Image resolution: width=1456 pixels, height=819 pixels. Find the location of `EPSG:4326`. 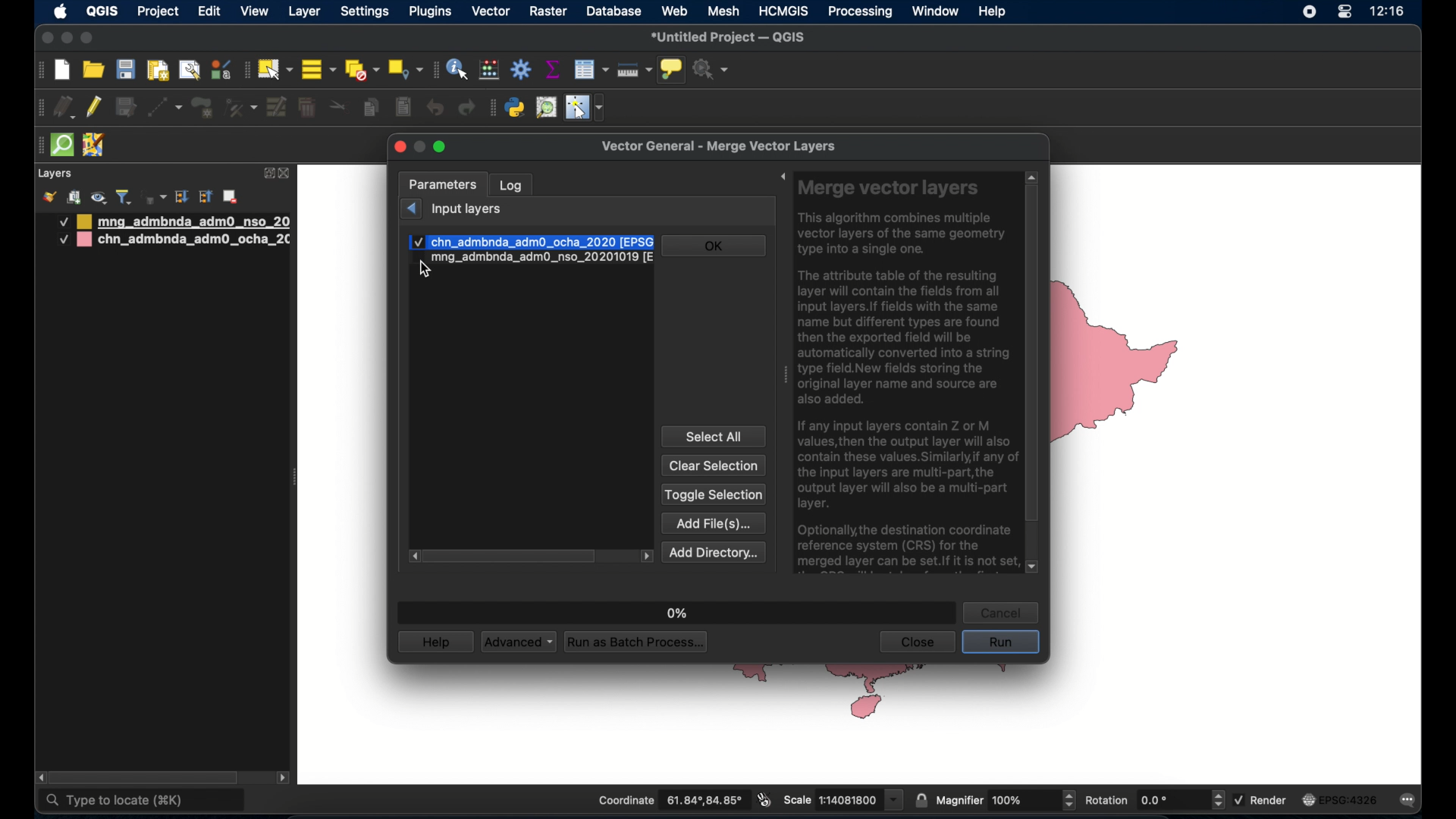

EPSG:4326 is located at coordinates (1340, 801).